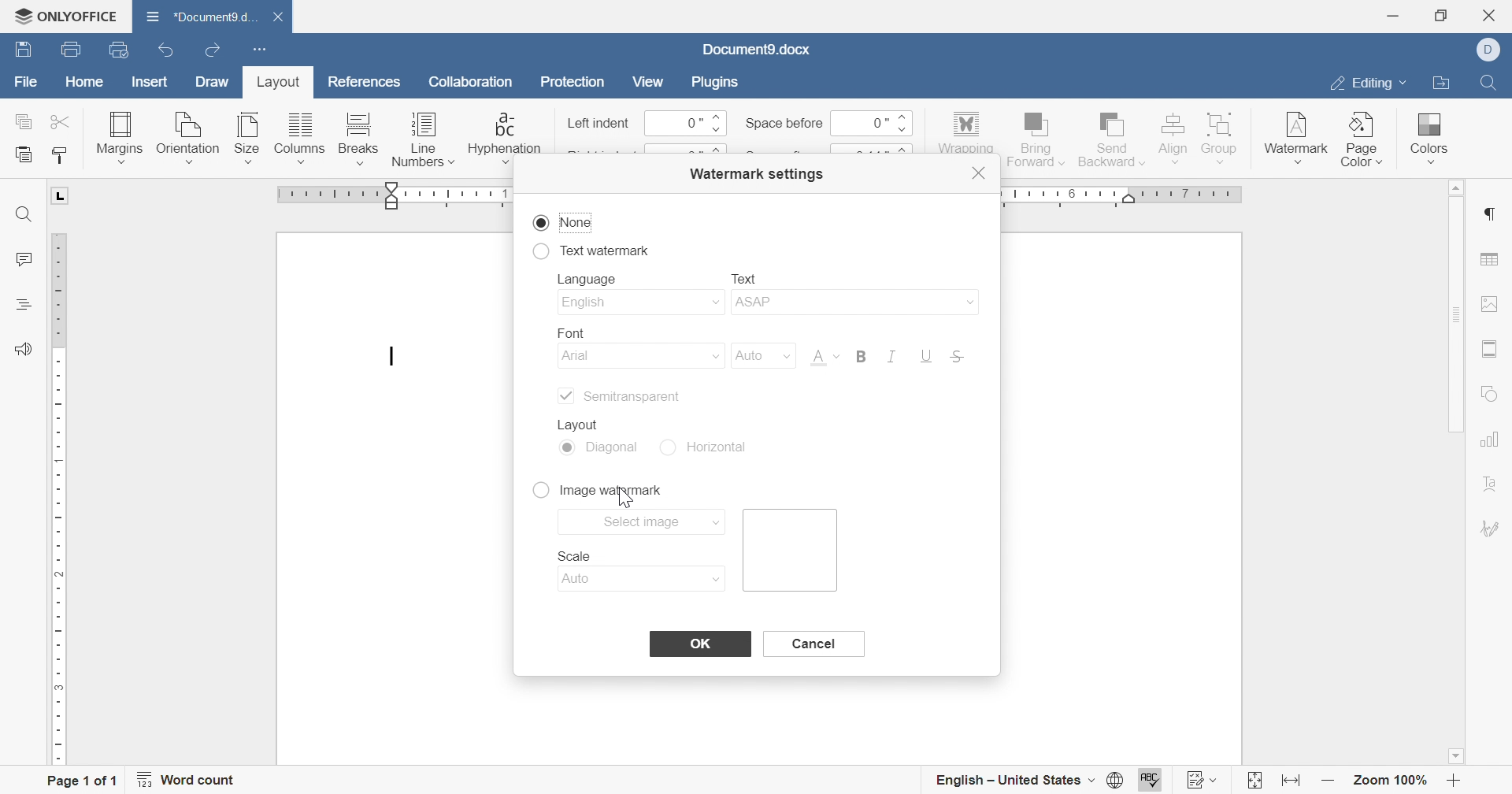 Image resolution: width=1512 pixels, height=794 pixels. What do you see at coordinates (1489, 439) in the screenshot?
I see `chart settings` at bounding box center [1489, 439].